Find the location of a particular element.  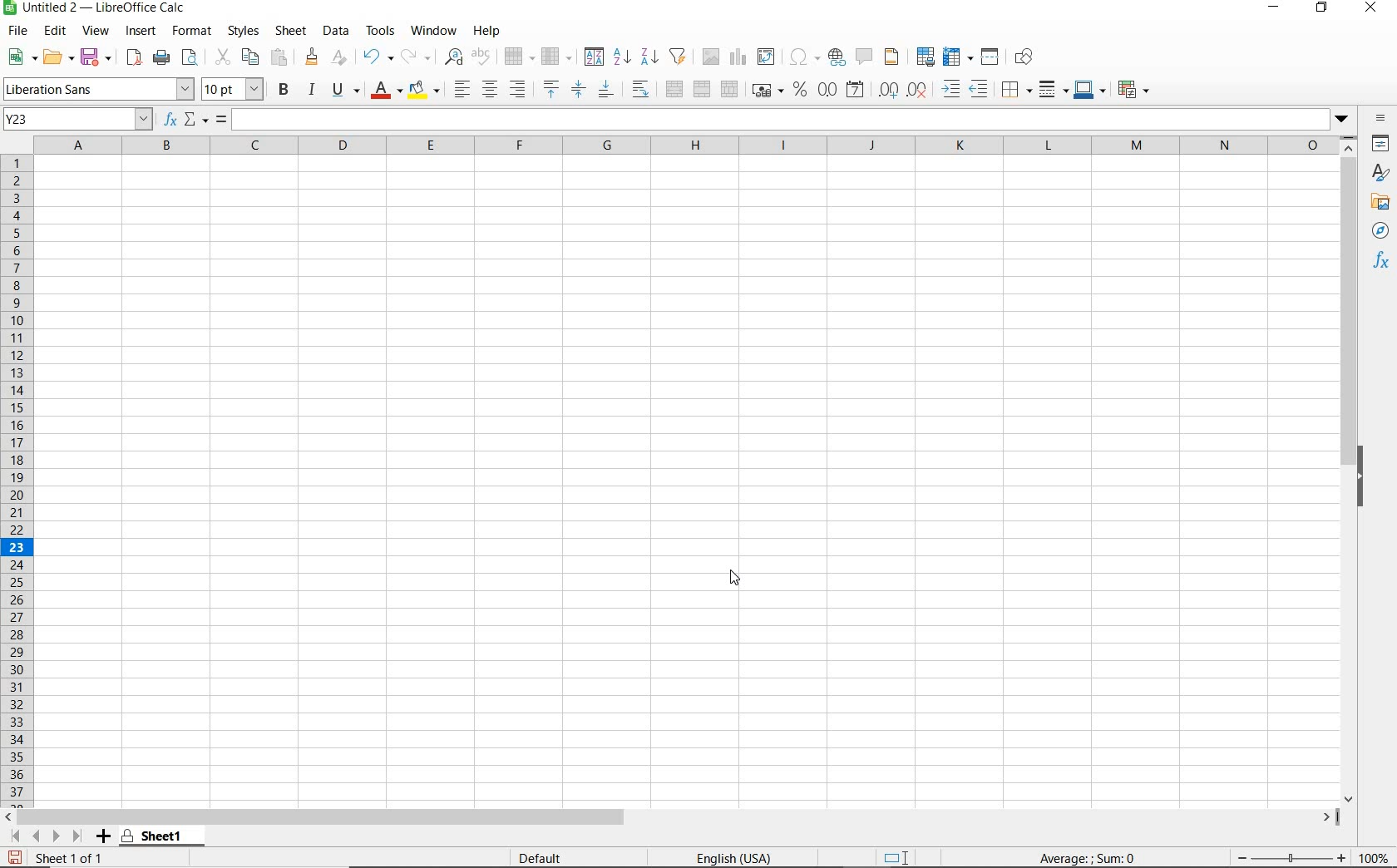

ALIGN CENTER is located at coordinates (490, 91).